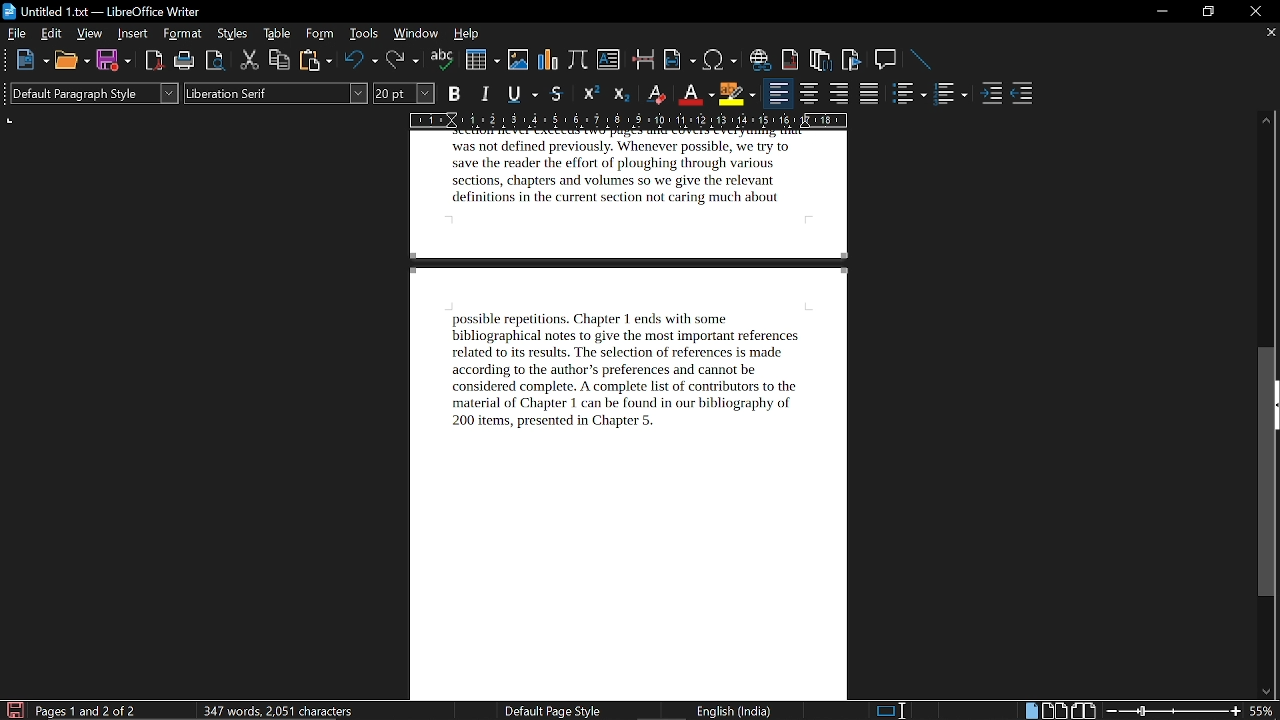 This screenshot has height=720, width=1280. What do you see at coordinates (1023, 97) in the screenshot?
I see `decrease indent` at bounding box center [1023, 97].